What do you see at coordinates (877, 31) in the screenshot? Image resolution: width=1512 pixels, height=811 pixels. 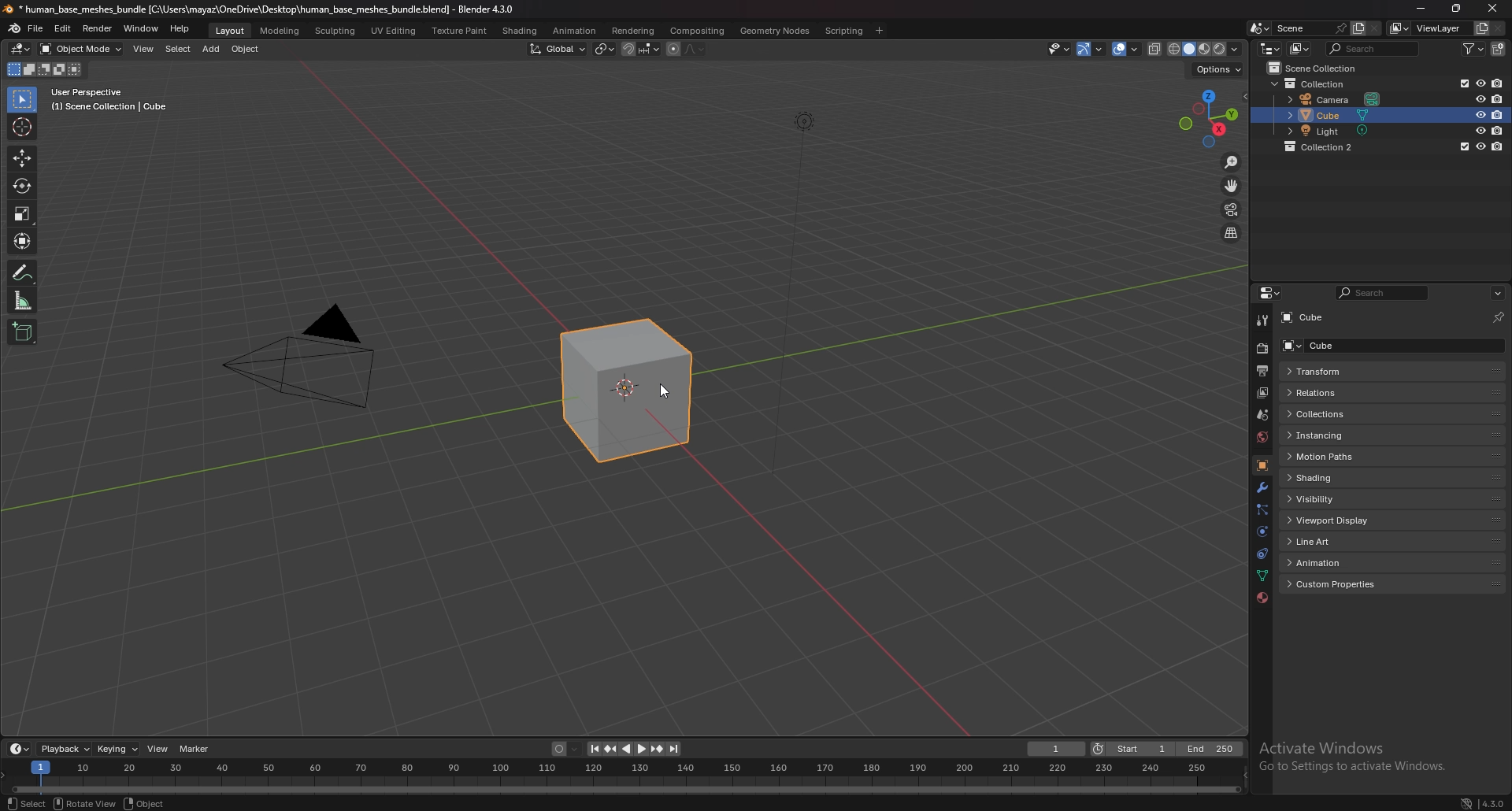 I see `add workspace` at bounding box center [877, 31].